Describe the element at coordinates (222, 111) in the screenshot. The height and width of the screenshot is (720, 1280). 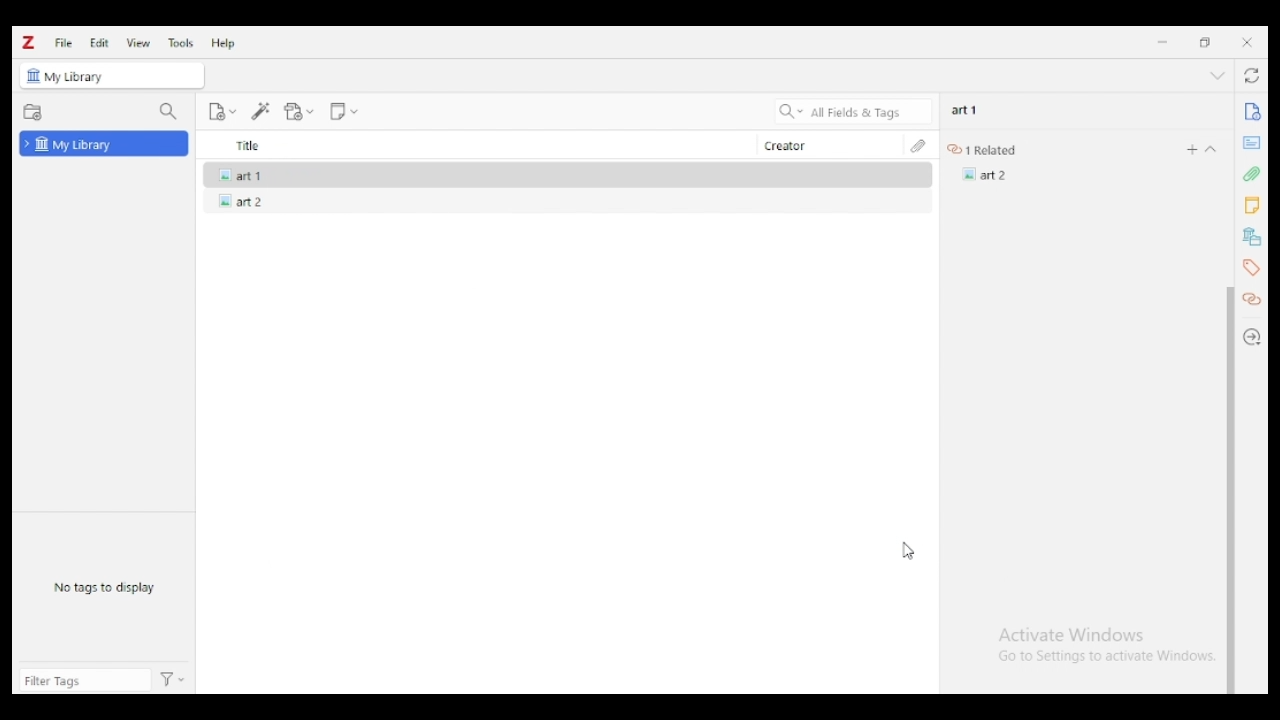
I see `new item` at that location.